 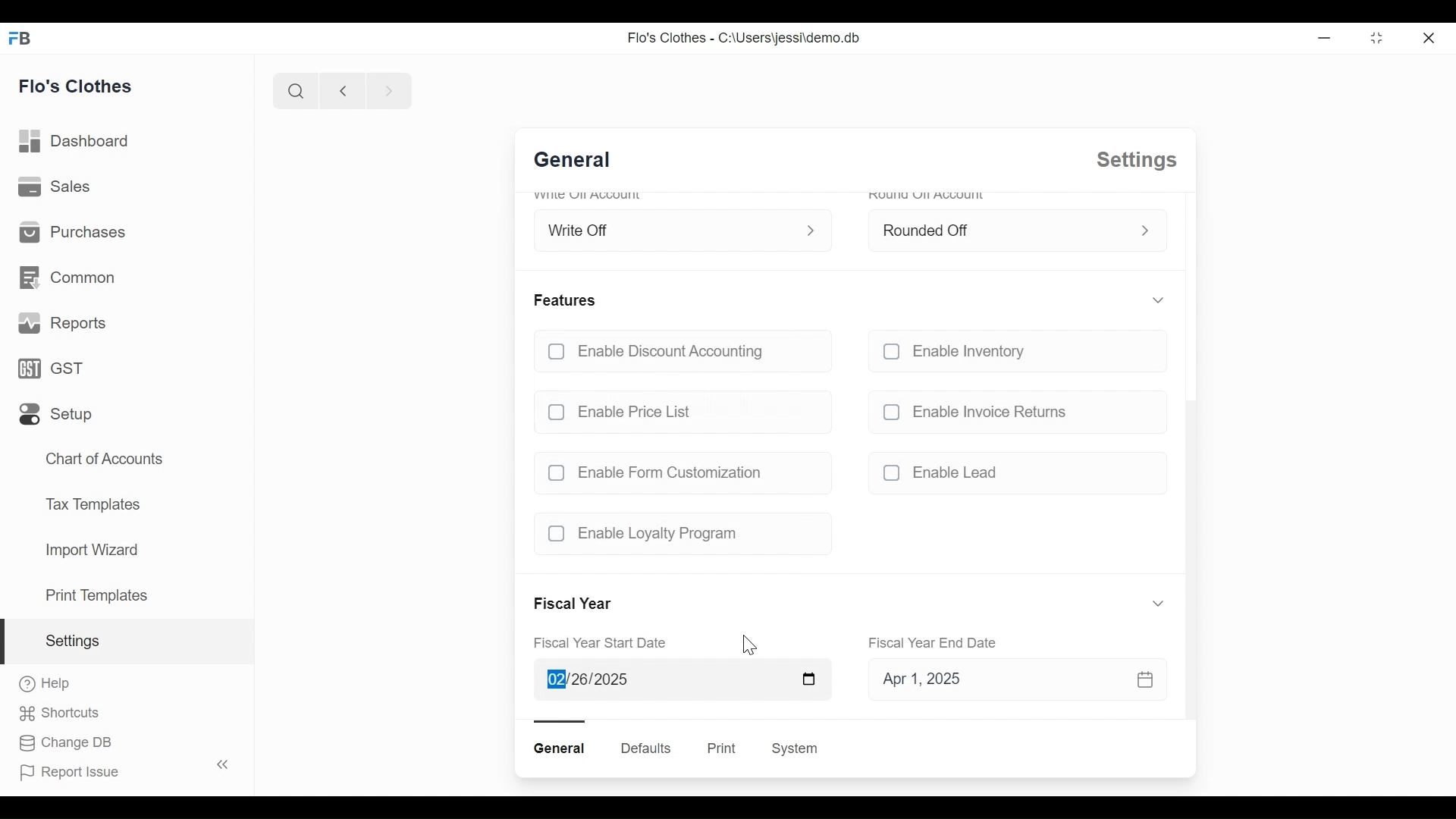 I want to click on Navigate, so click(x=387, y=89).